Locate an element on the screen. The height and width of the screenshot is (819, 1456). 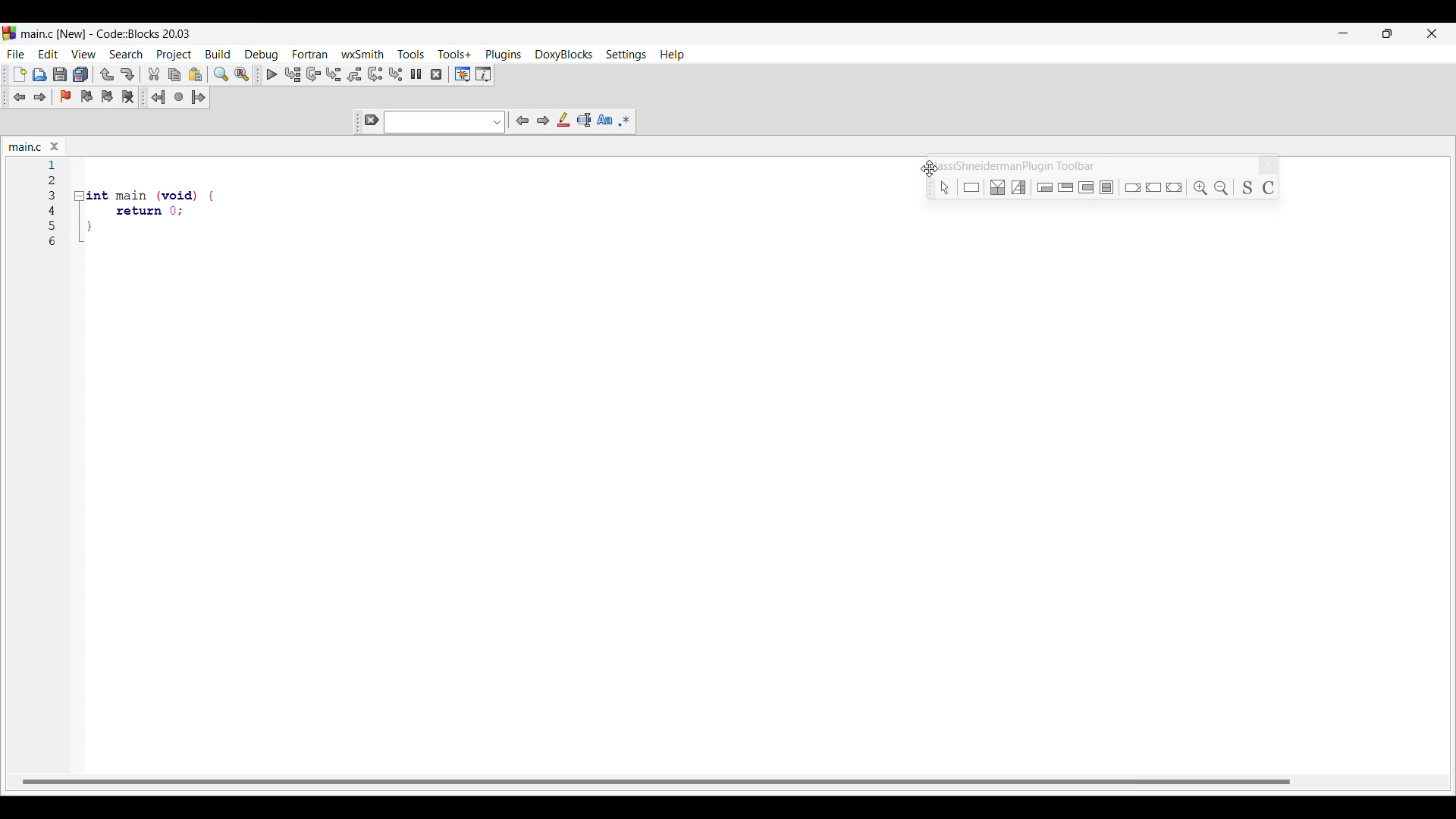
Close tab is located at coordinates (55, 146).